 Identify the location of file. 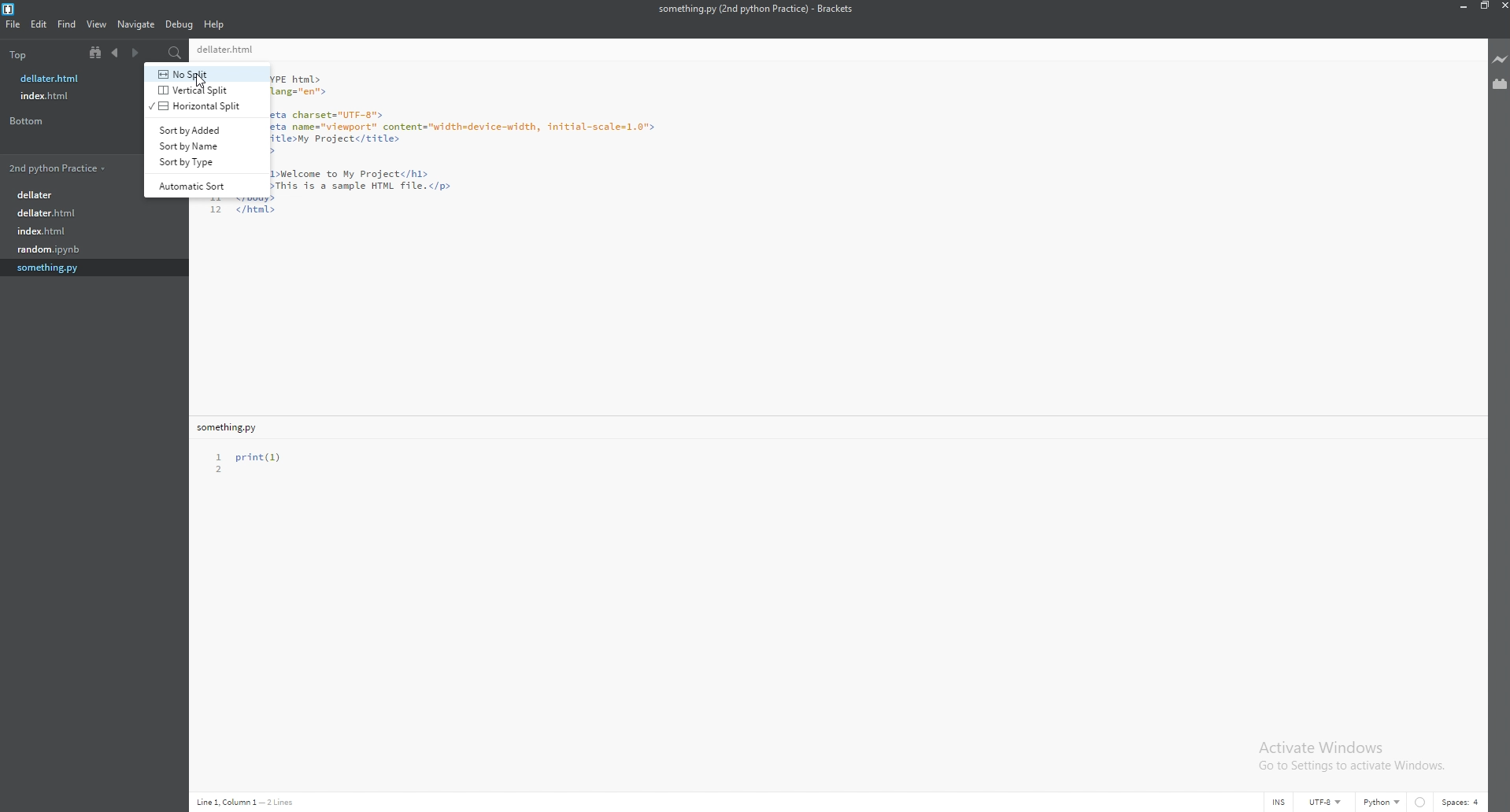
(78, 213).